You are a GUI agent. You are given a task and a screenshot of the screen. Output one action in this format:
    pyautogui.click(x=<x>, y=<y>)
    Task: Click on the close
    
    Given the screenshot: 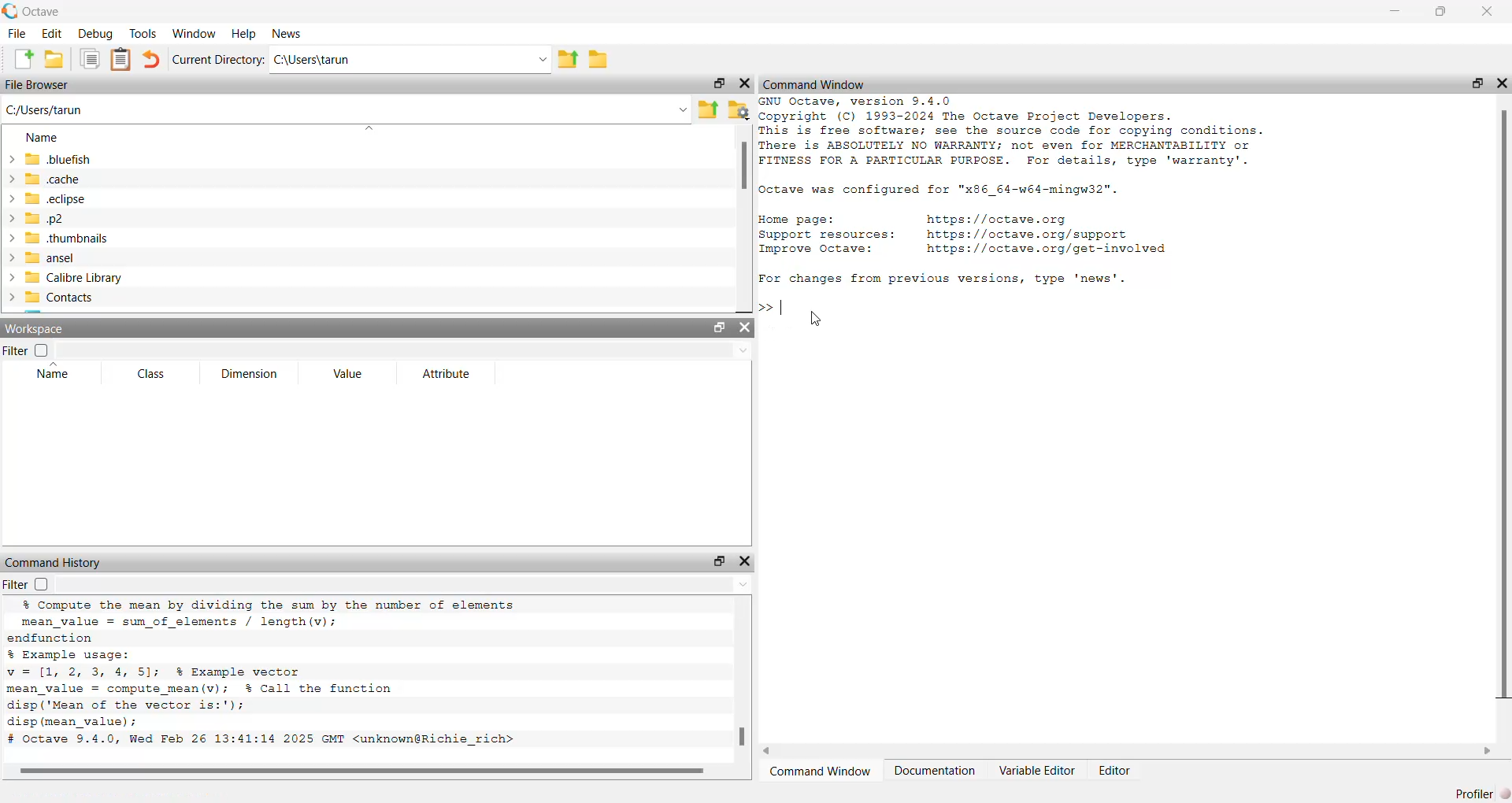 What is the action you would take?
    pyautogui.click(x=746, y=561)
    